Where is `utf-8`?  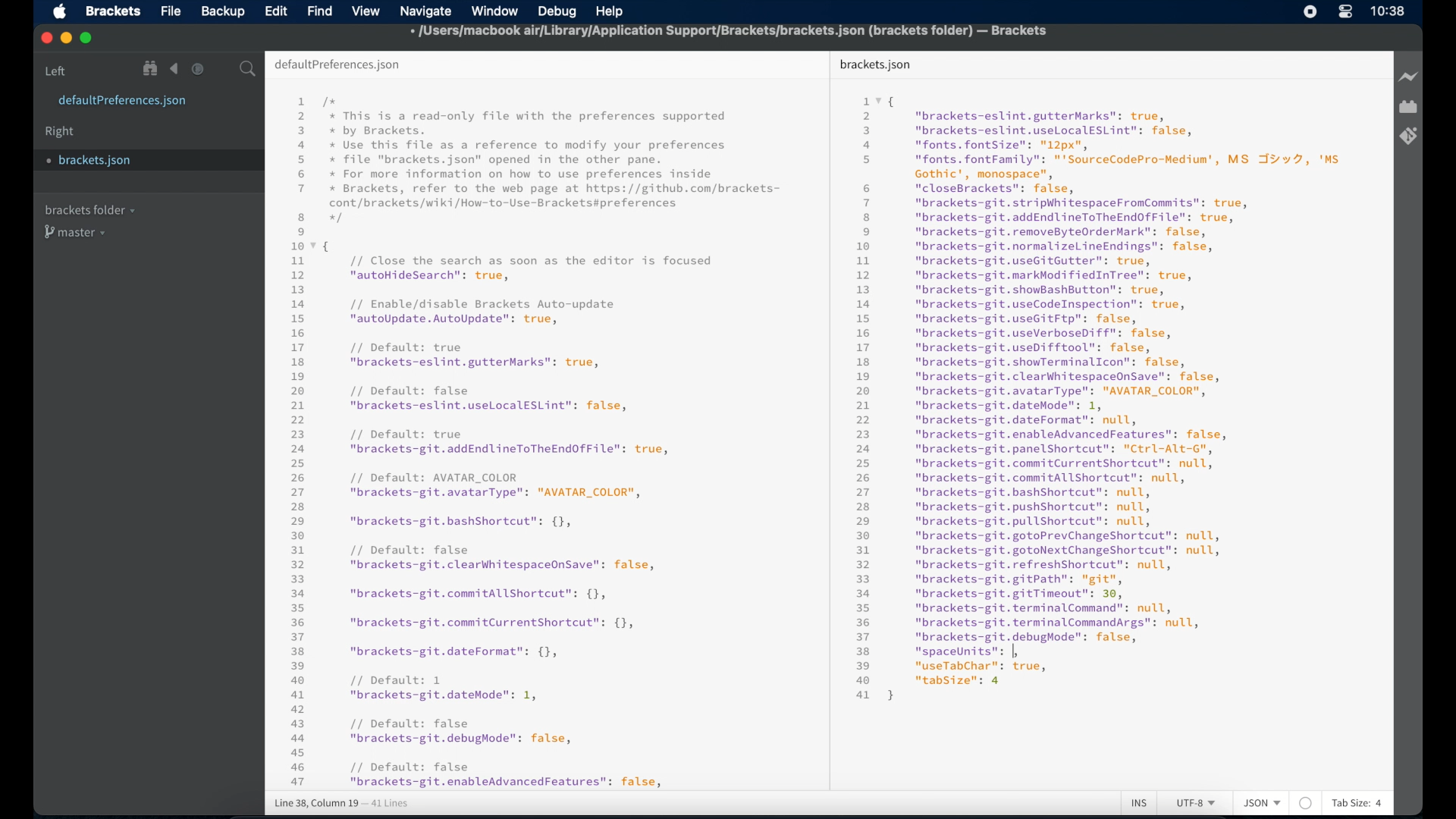 utf-8 is located at coordinates (1197, 803).